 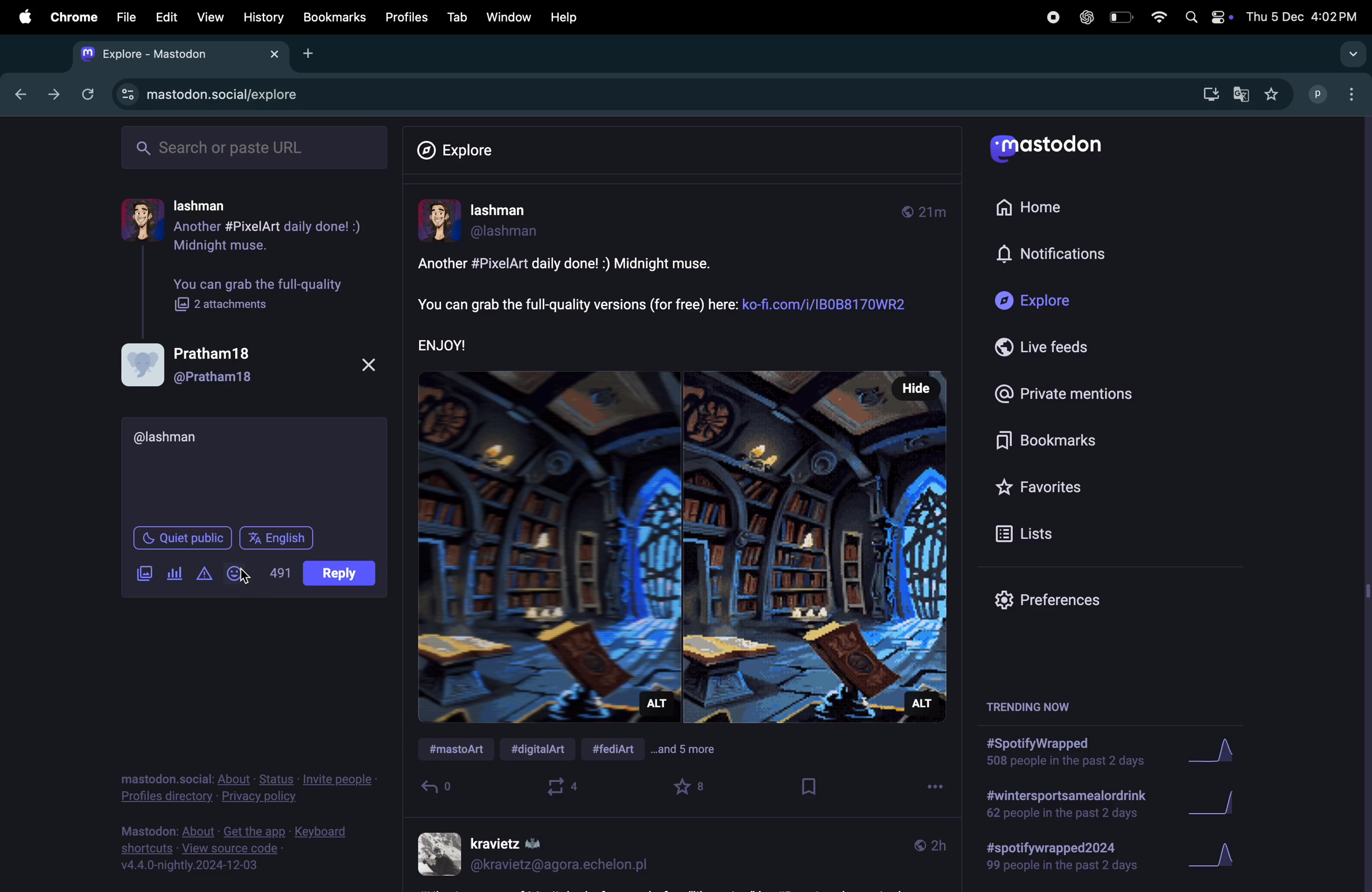 I want to click on trending now, so click(x=1026, y=709).